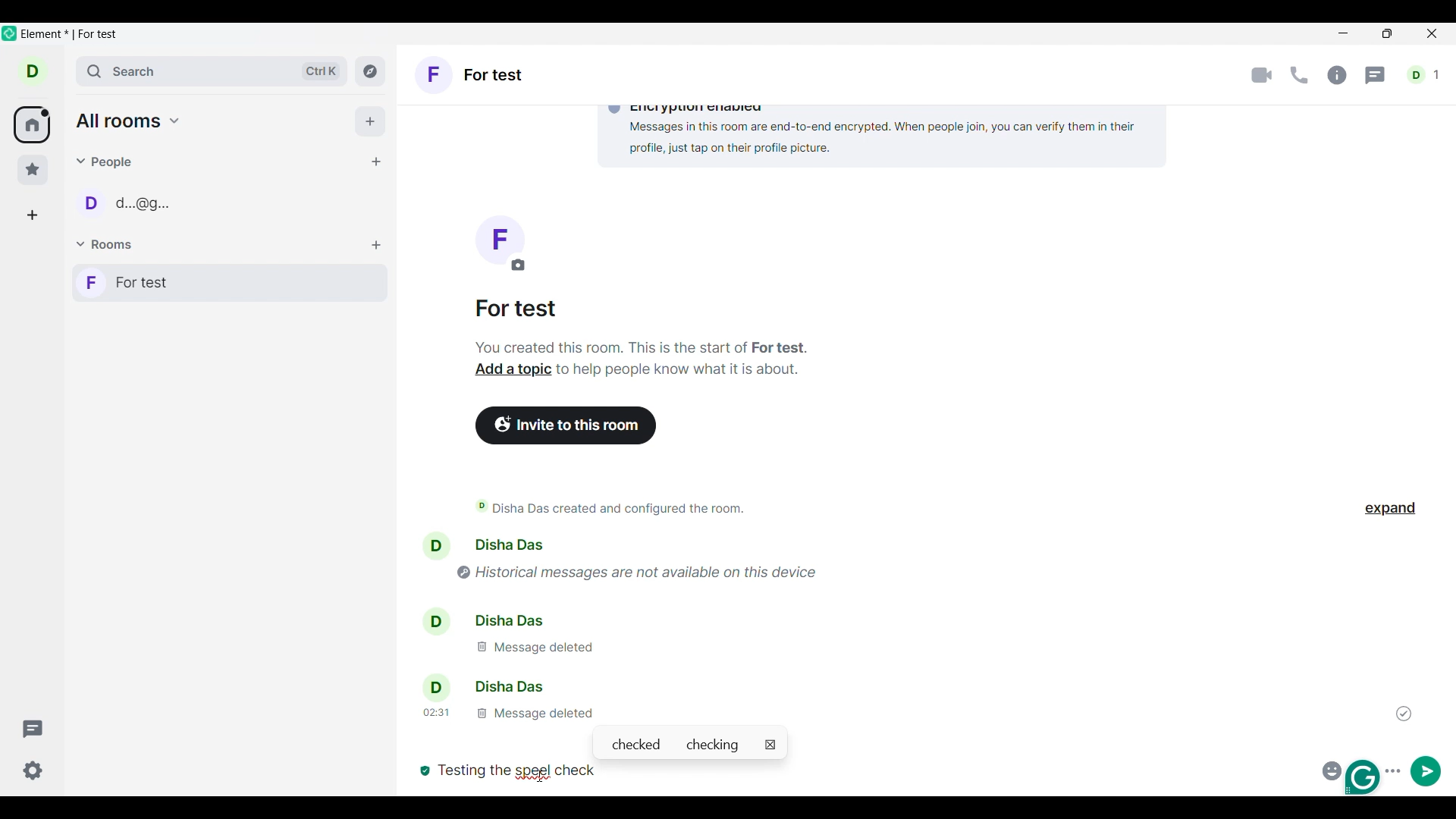 Image resolution: width=1456 pixels, height=819 pixels. I want to click on D d.@g.., so click(134, 206).